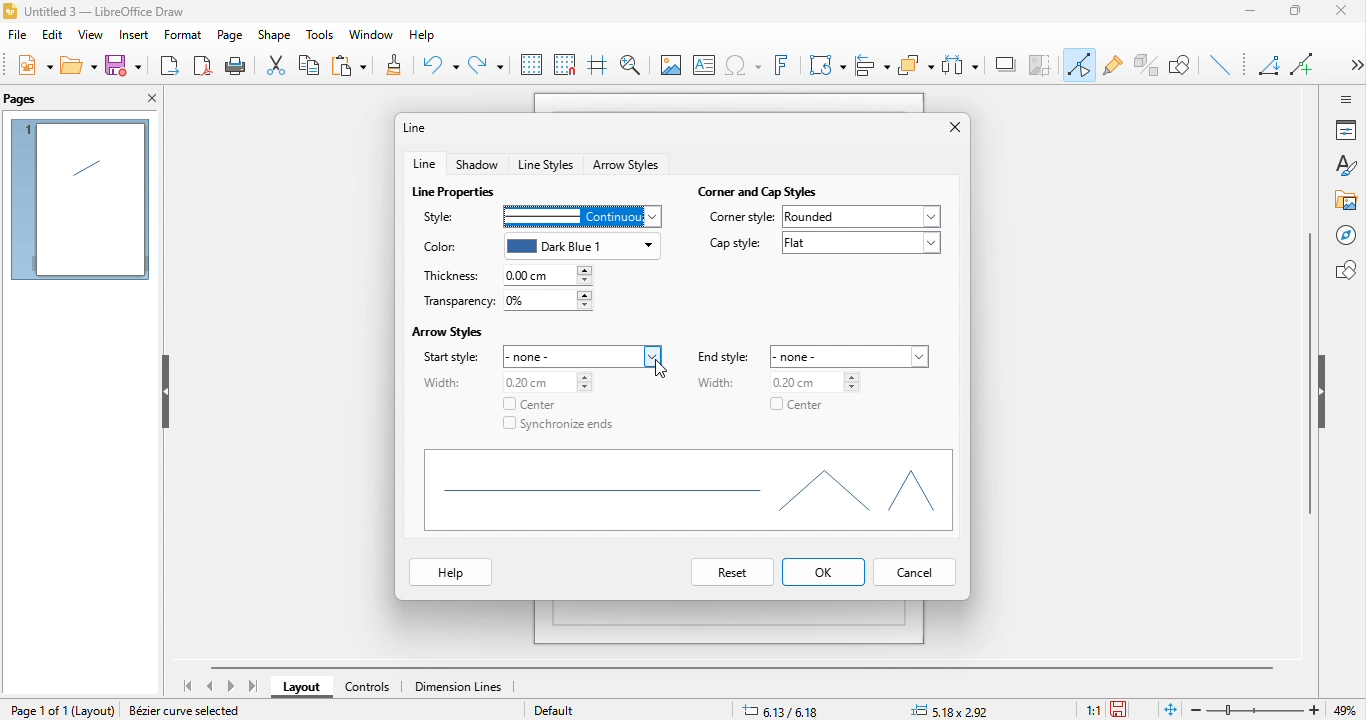 The image size is (1366, 720). I want to click on synchronize ends, so click(561, 426).